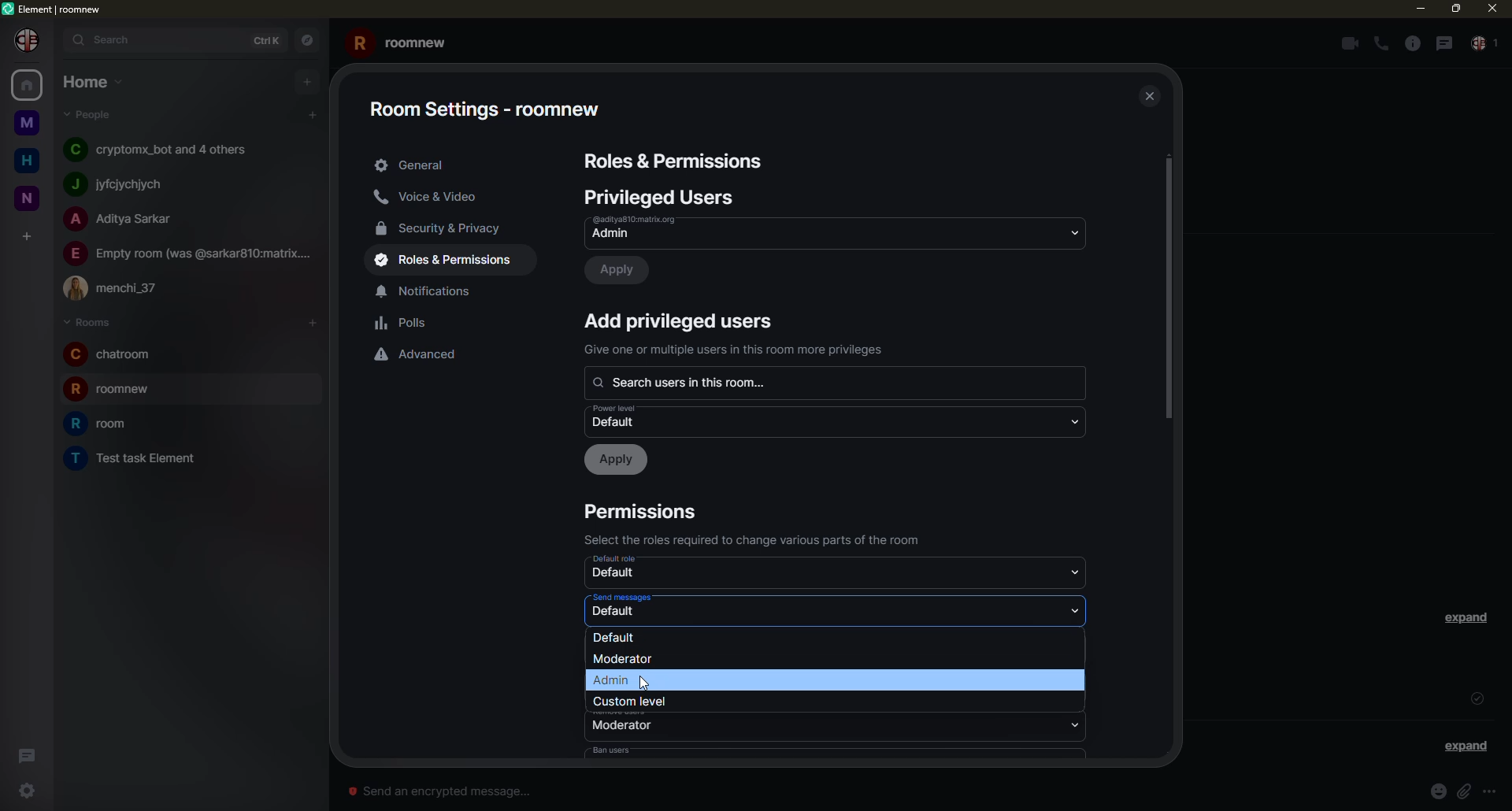  Describe the element at coordinates (621, 597) in the screenshot. I see `send message` at that location.